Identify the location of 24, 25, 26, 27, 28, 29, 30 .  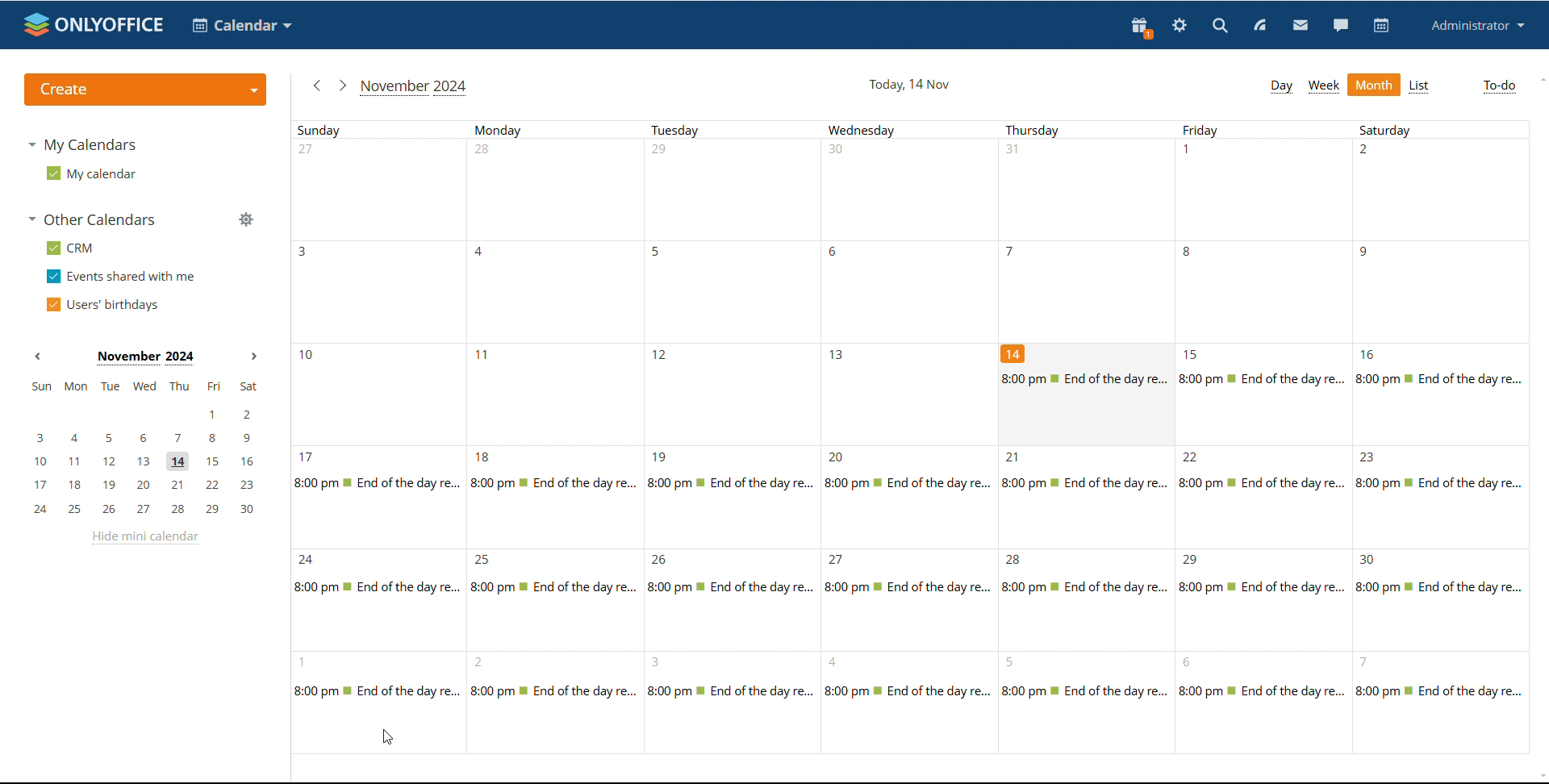
(148, 510).